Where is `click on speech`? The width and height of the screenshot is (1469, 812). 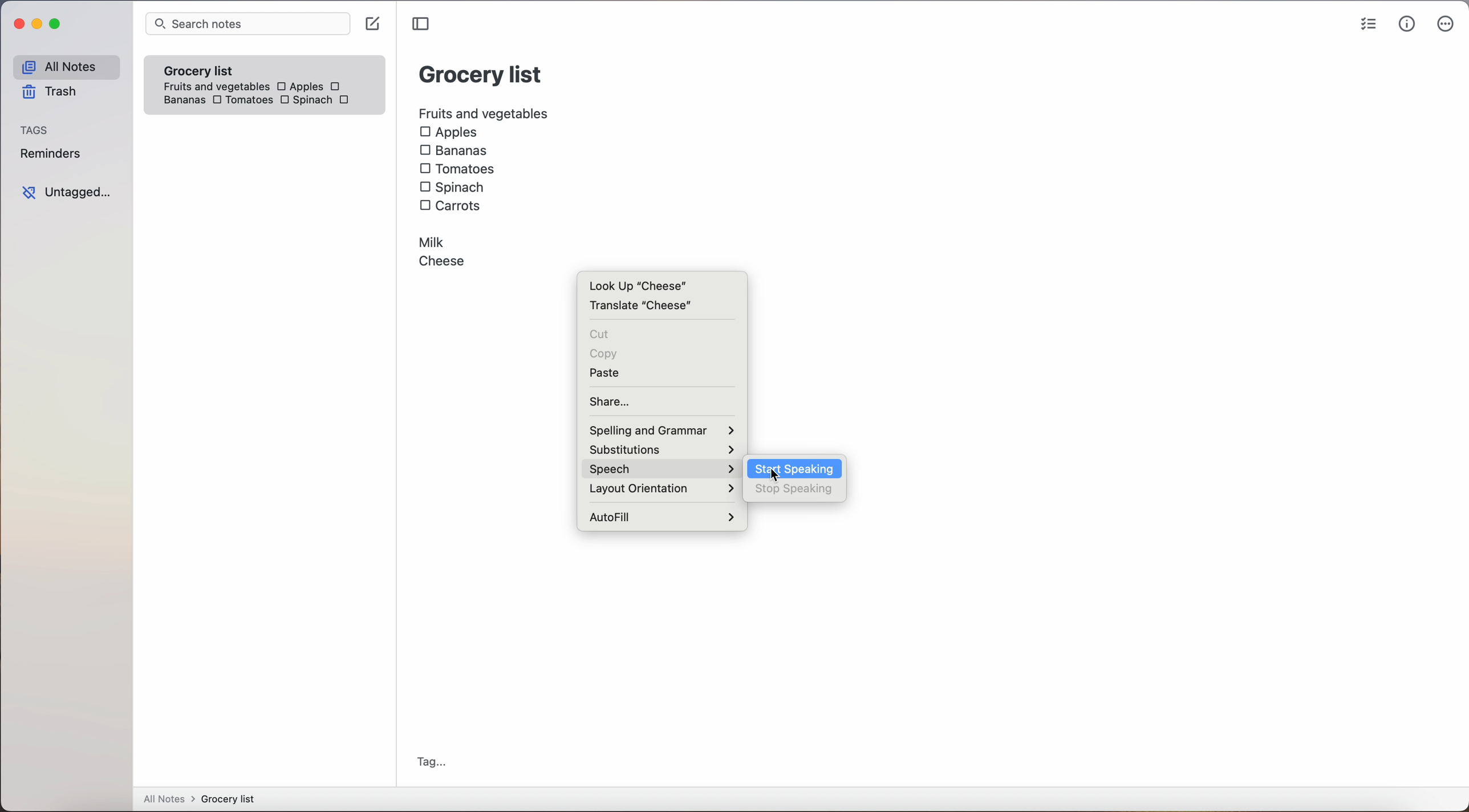 click on speech is located at coordinates (662, 468).